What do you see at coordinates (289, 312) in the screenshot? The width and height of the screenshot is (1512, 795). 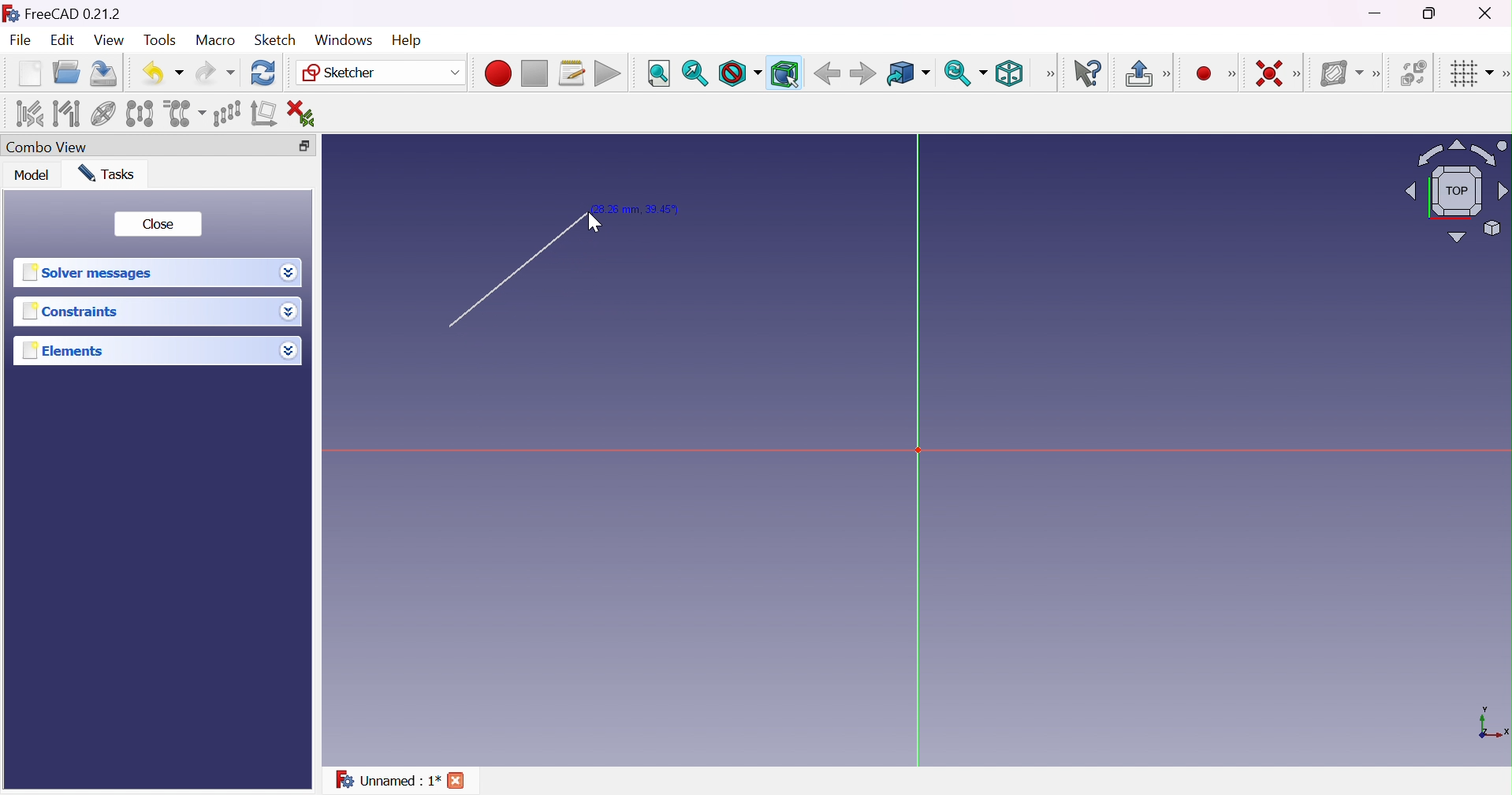 I see `Drop down` at bounding box center [289, 312].